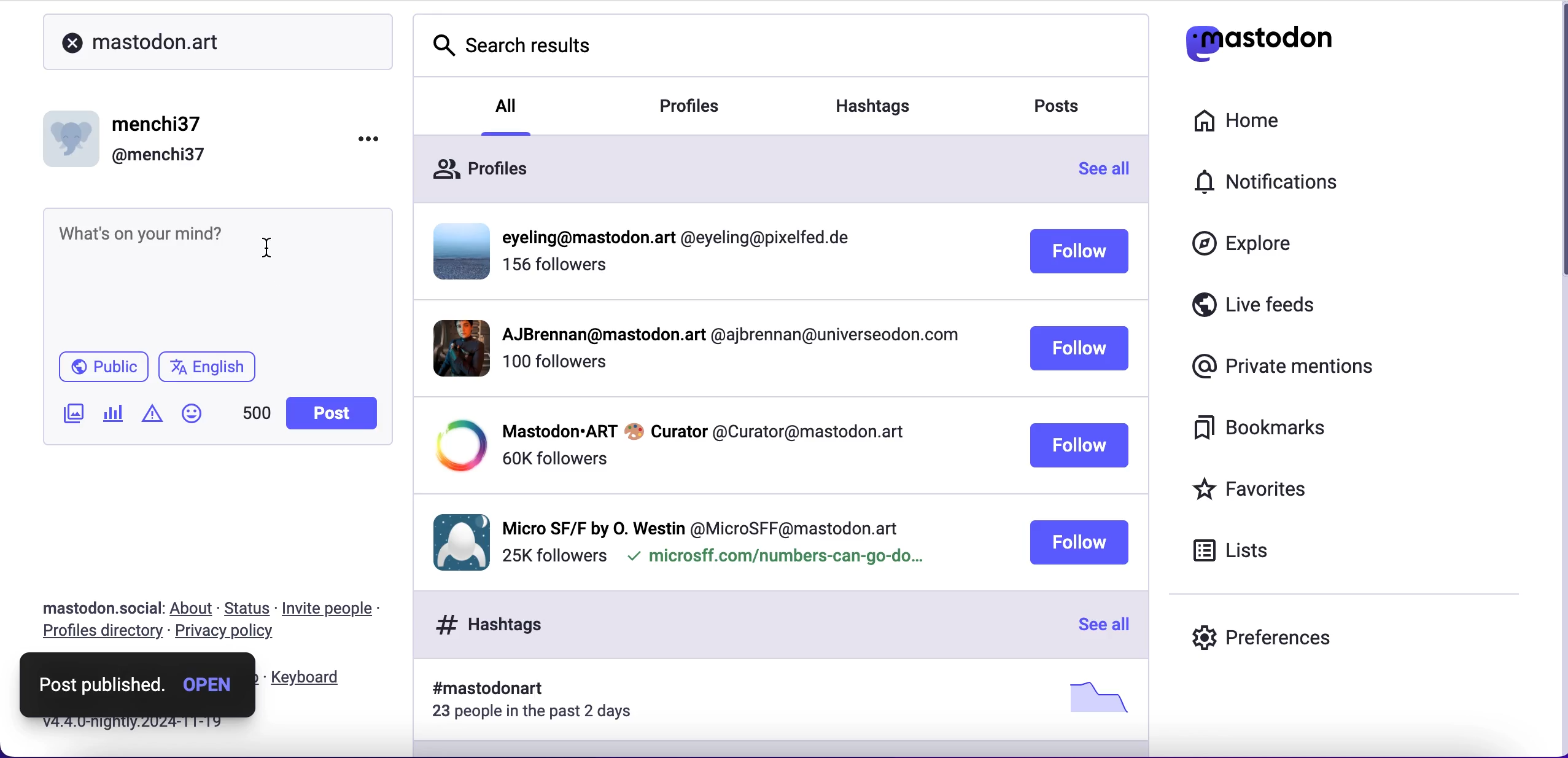 This screenshot has height=758, width=1568. Describe the element at coordinates (1557, 147) in the screenshot. I see `scroll bar` at that location.